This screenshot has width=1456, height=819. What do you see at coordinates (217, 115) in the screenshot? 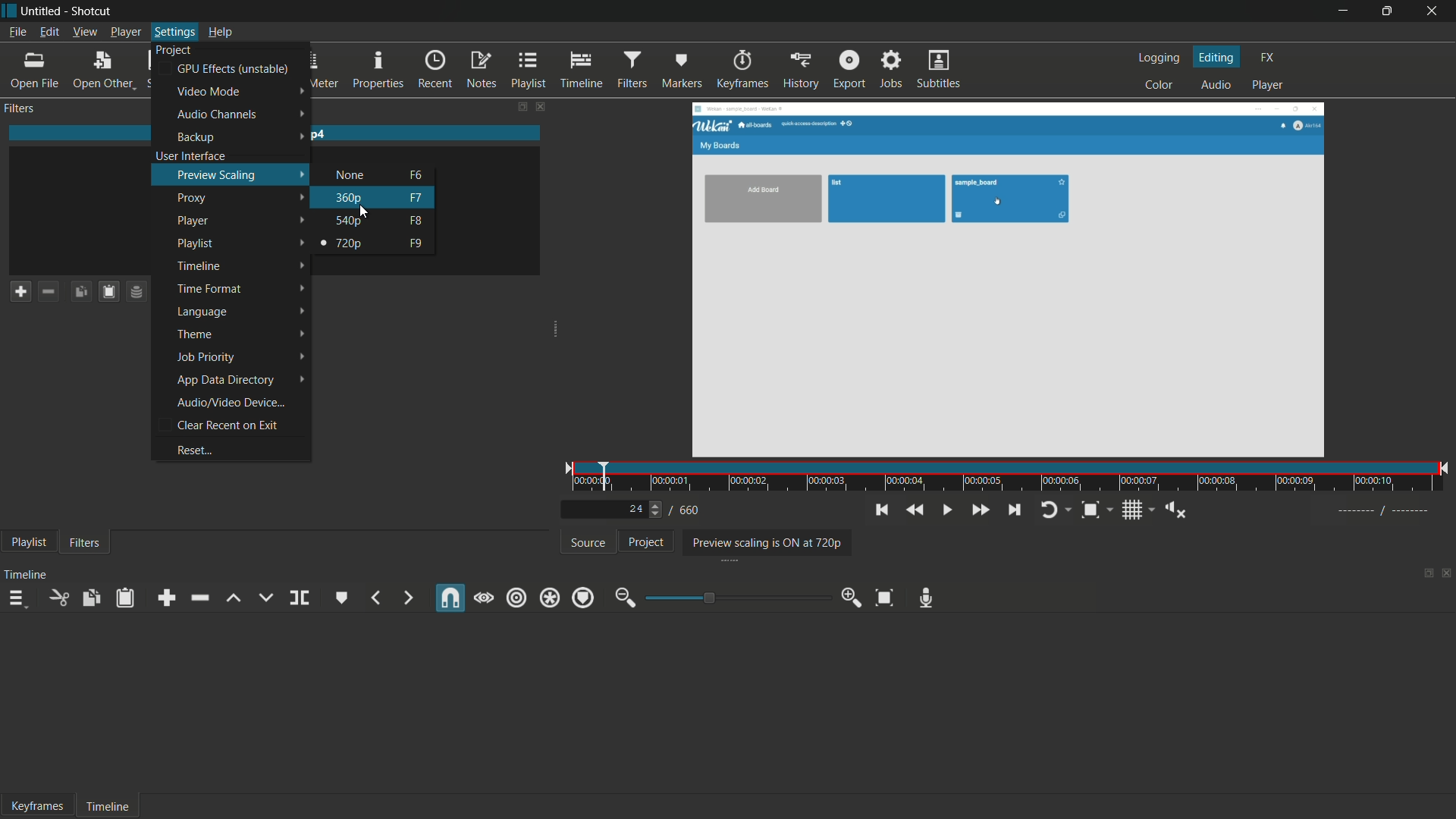
I see `audio channels` at bounding box center [217, 115].